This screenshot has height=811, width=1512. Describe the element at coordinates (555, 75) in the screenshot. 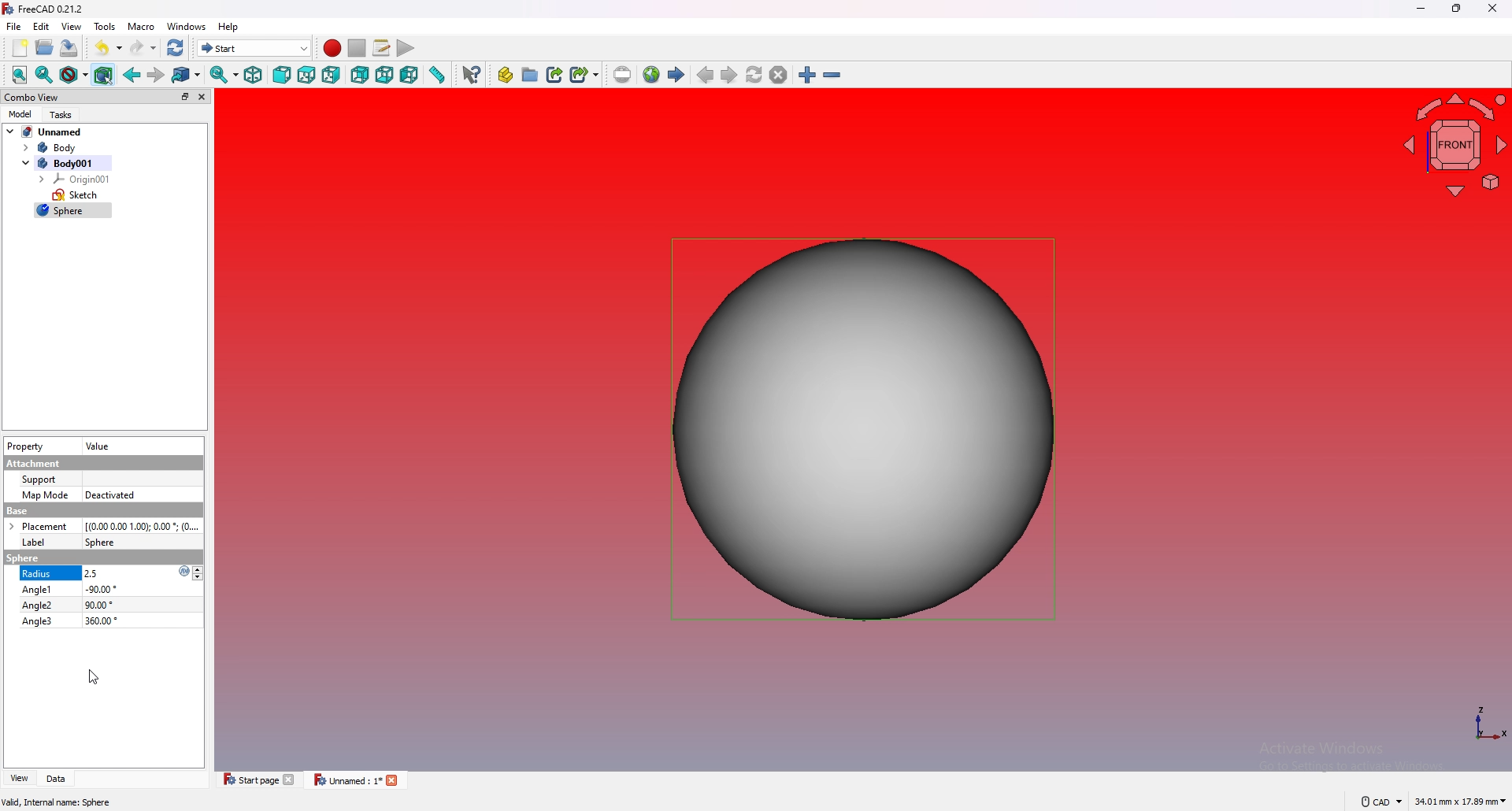

I see `create link` at that location.